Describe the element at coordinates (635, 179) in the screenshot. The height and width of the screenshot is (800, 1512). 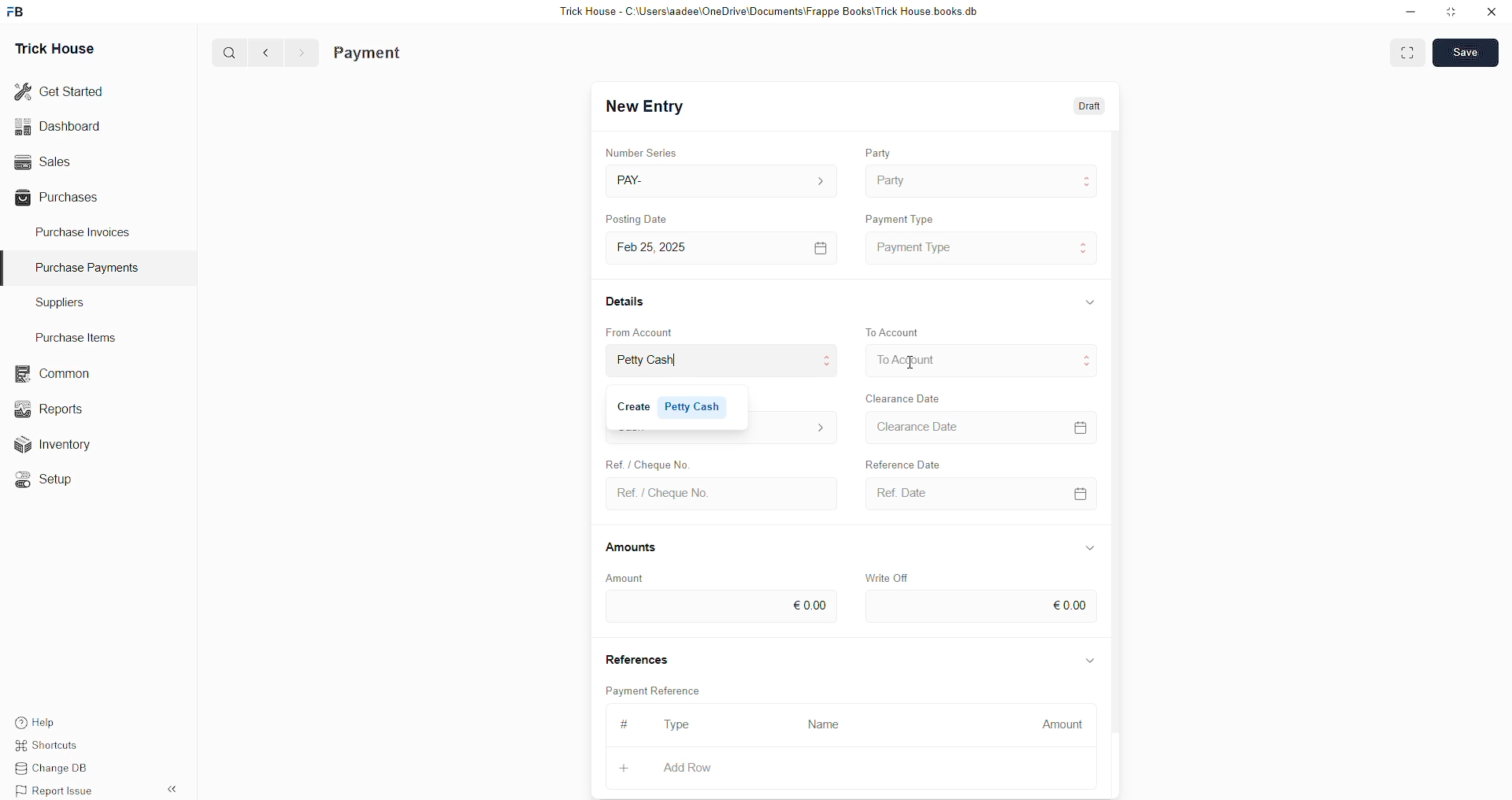
I see `PAY-` at that location.